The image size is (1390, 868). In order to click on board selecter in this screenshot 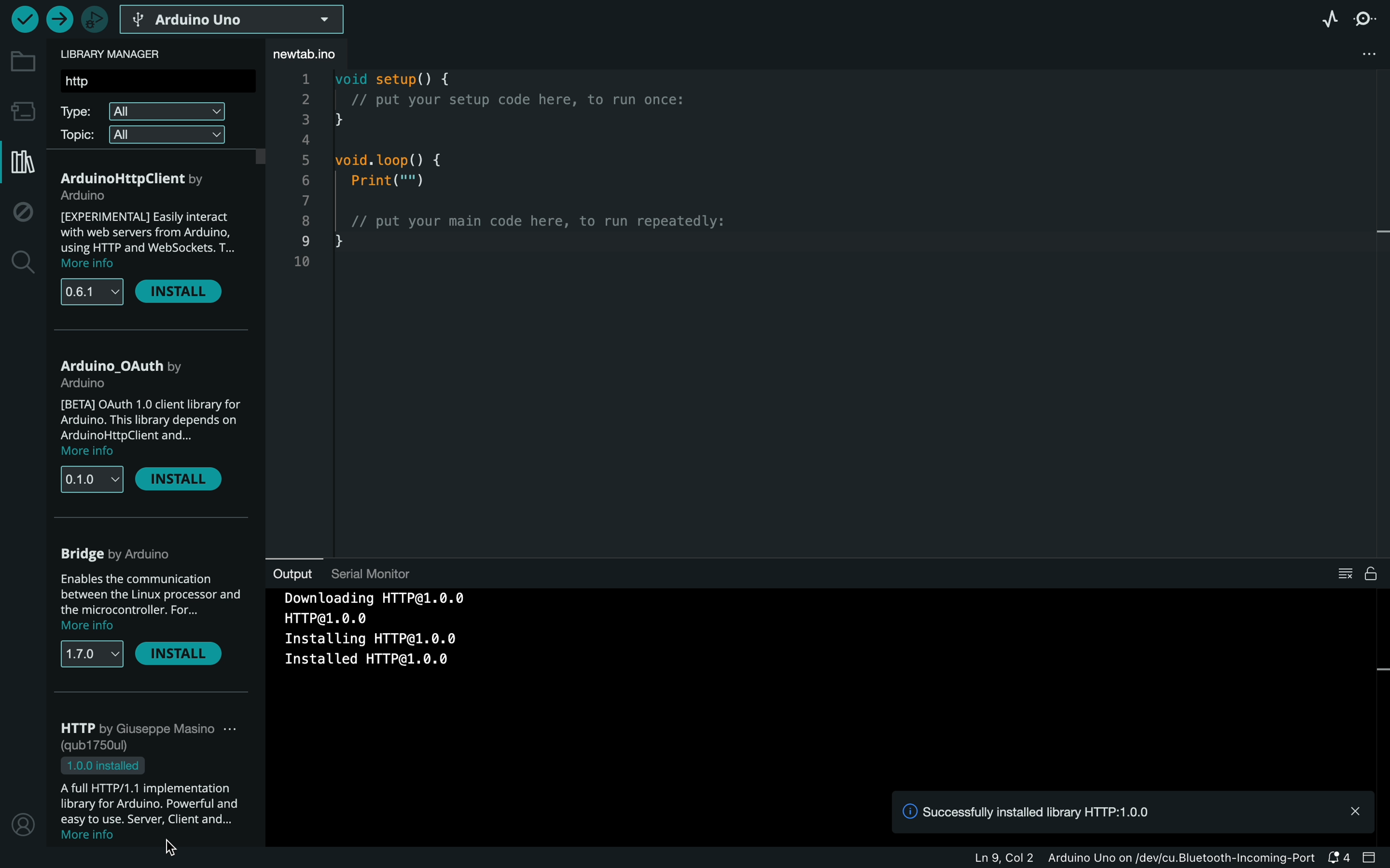, I will do `click(241, 20)`.